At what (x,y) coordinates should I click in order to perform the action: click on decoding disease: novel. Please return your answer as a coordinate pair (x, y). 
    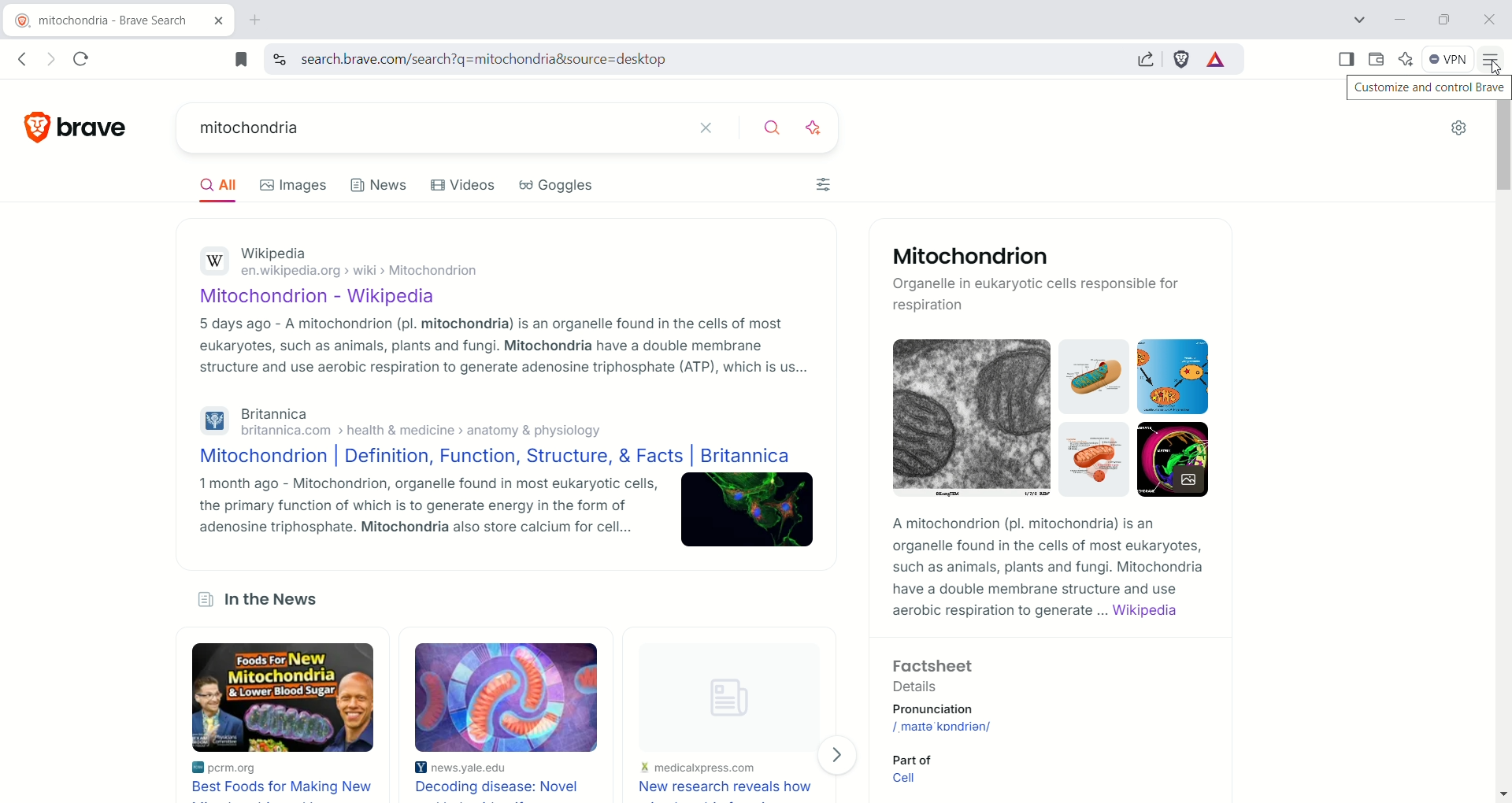
    Looking at the image, I should click on (509, 722).